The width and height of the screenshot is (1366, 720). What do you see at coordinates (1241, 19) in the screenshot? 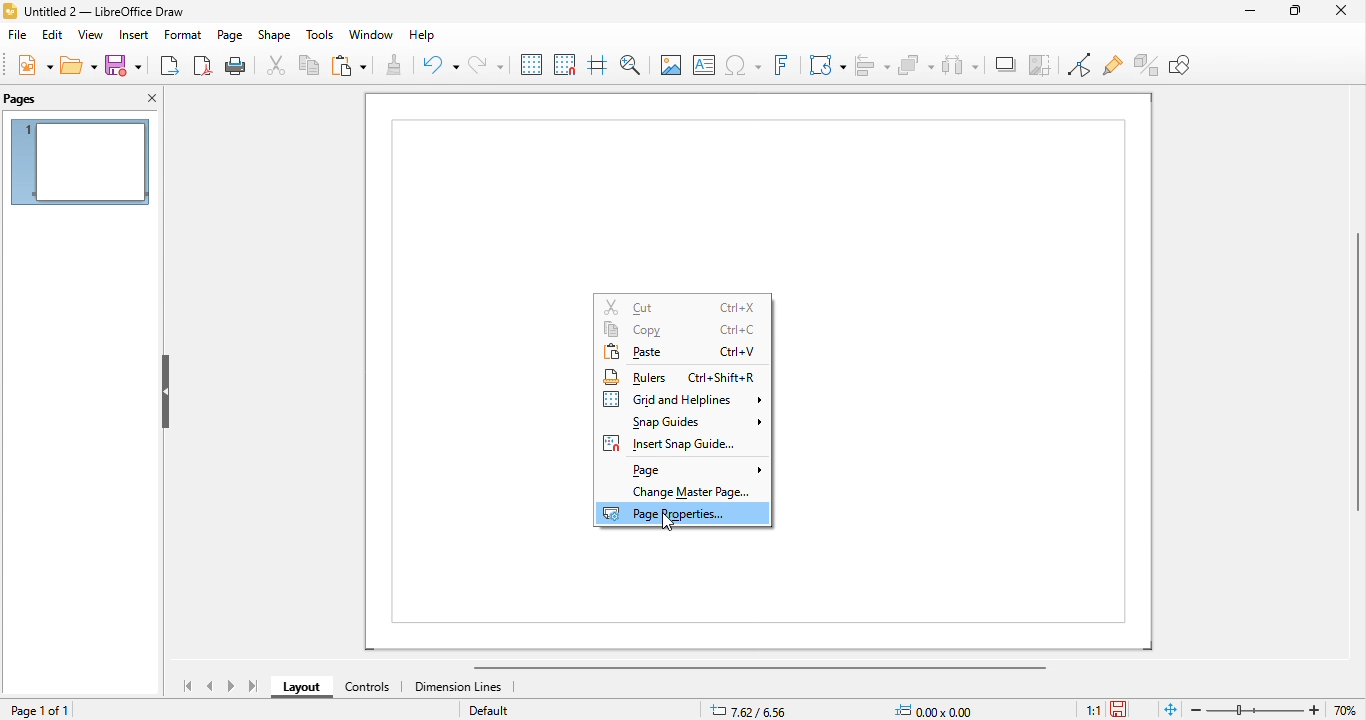
I see `minimize` at bounding box center [1241, 19].